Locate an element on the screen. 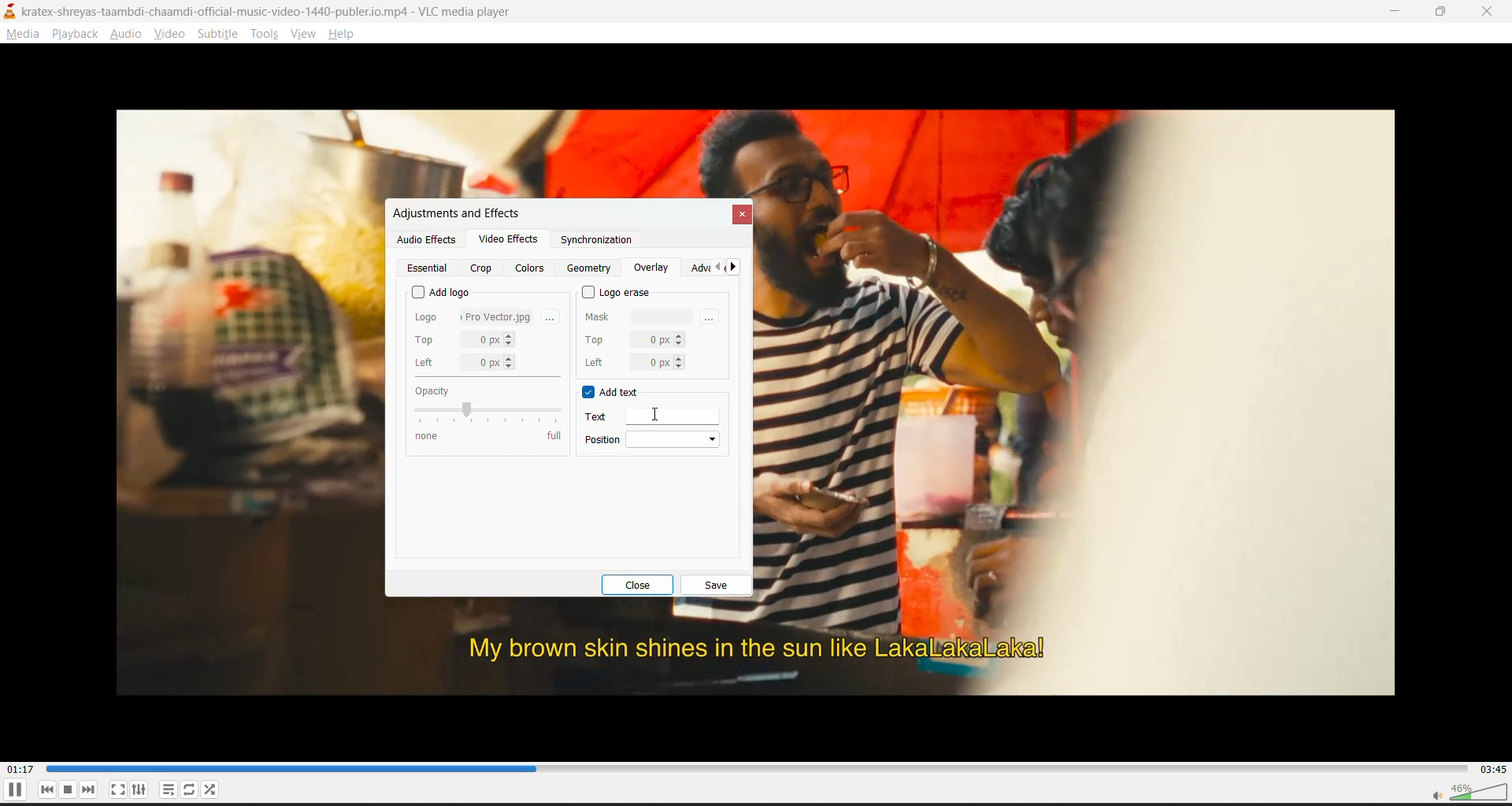  playlist is located at coordinates (166, 790).